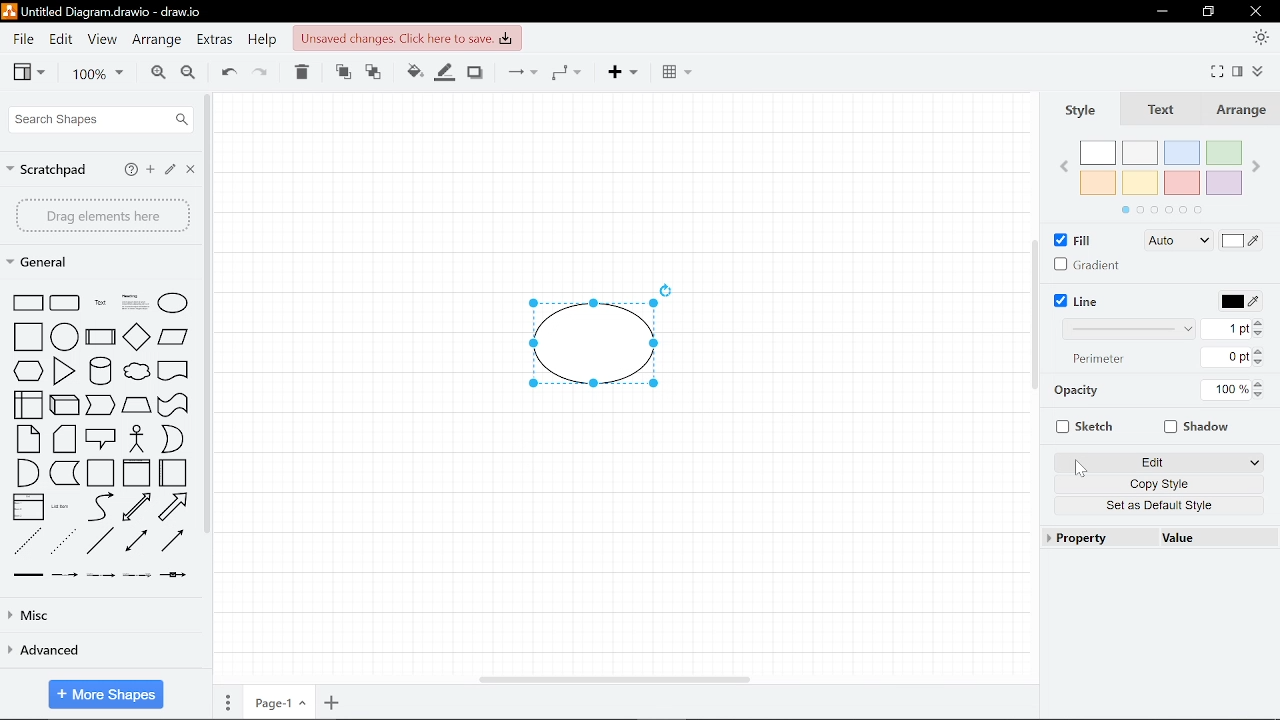  Describe the element at coordinates (1061, 165) in the screenshot. I see `Previous Color palette` at that location.